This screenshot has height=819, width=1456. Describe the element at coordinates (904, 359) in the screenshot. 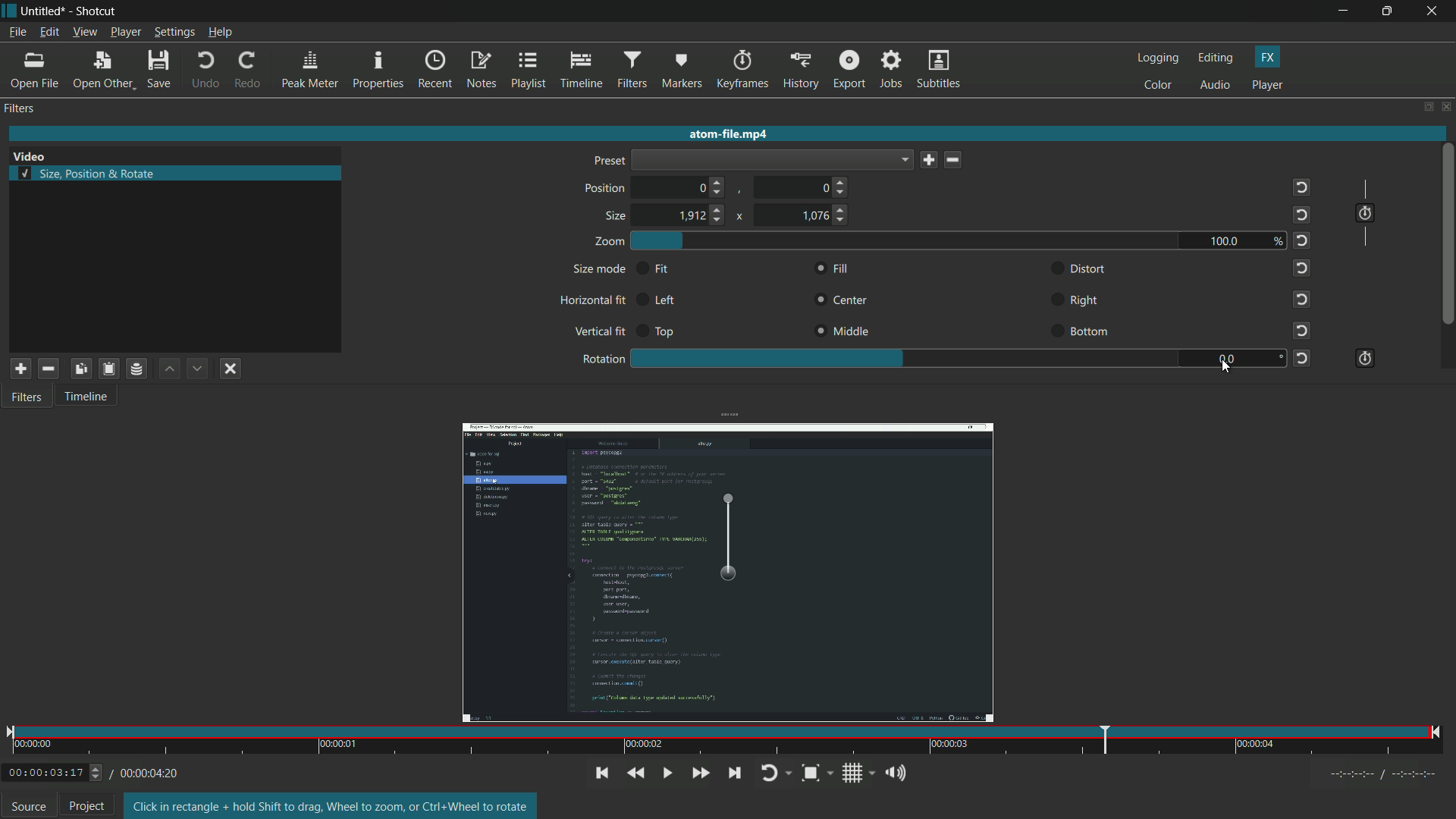

I see `rotation adjustment bar` at that location.